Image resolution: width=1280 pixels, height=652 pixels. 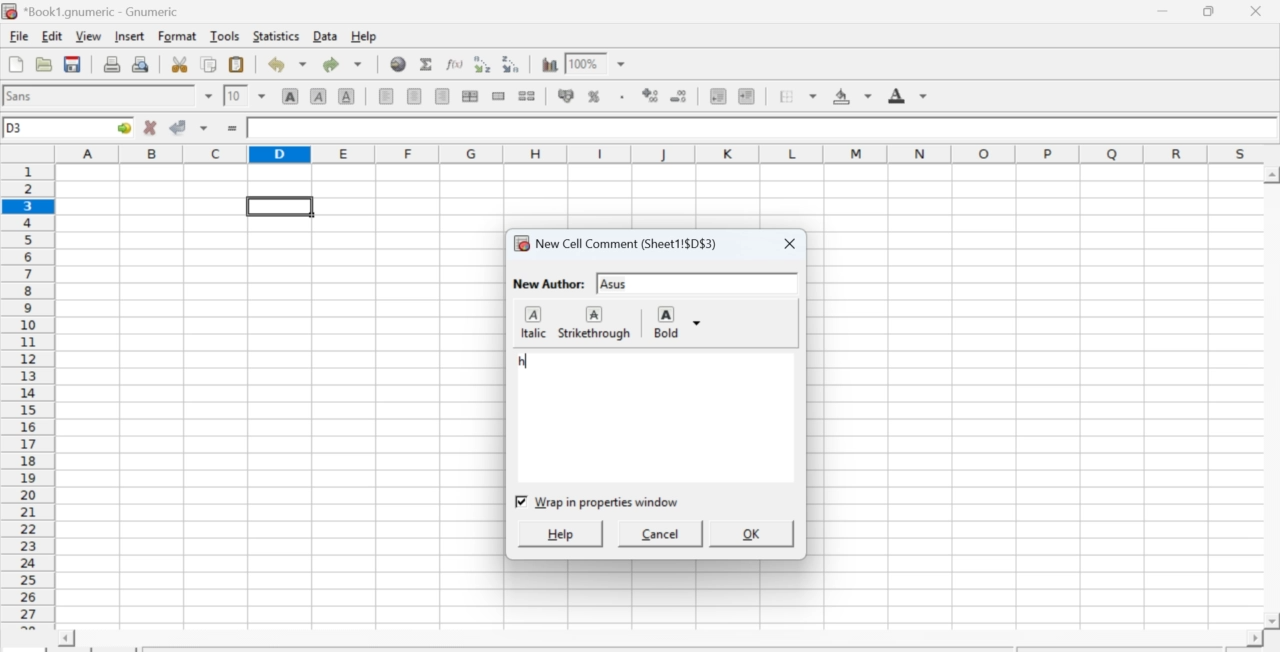 What do you see at coordinates (1272, 175) in the screenshot?
I see `scroll up` at bounding box center [1272, 175].